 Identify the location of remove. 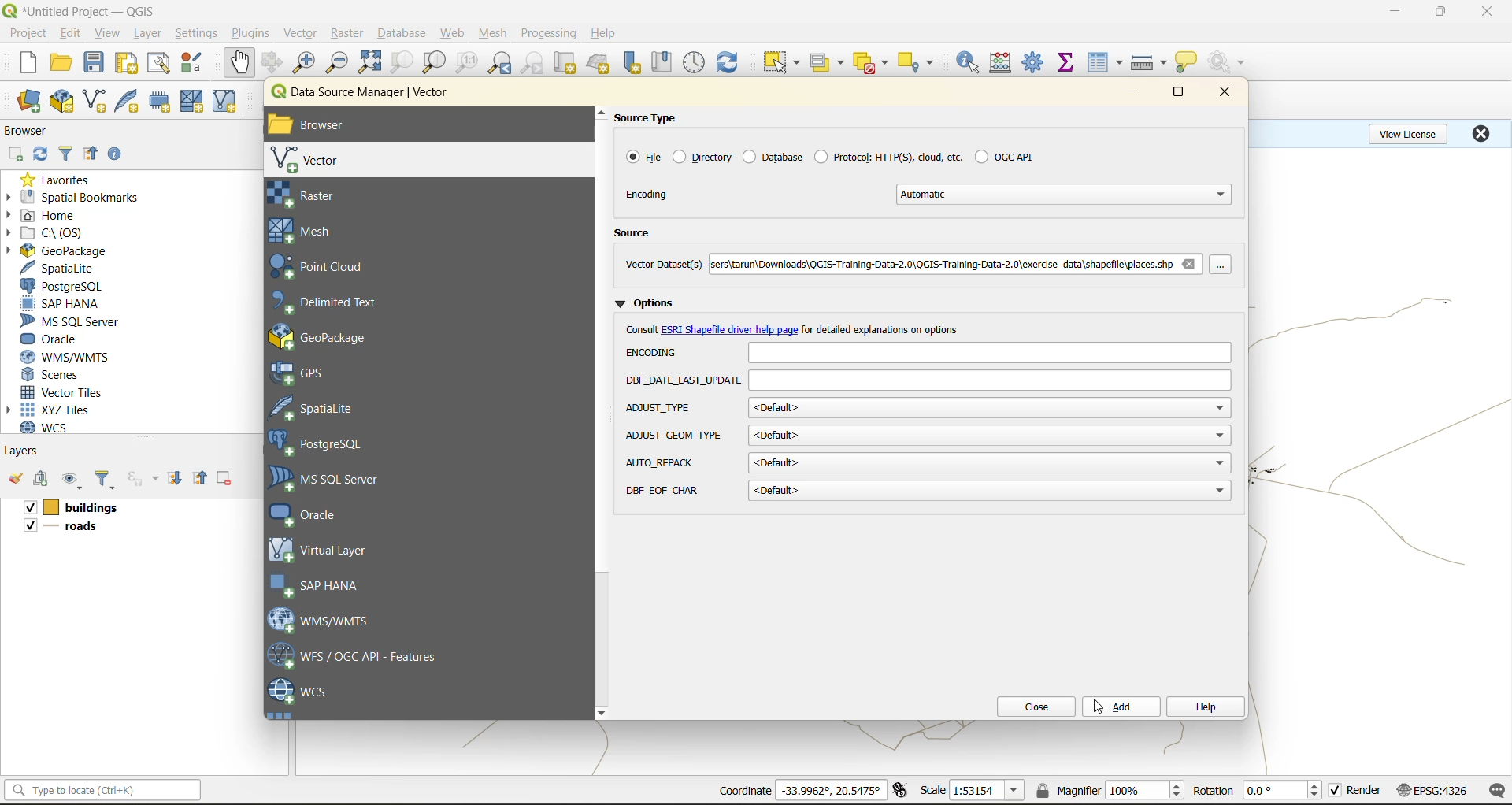
(1188, 263).